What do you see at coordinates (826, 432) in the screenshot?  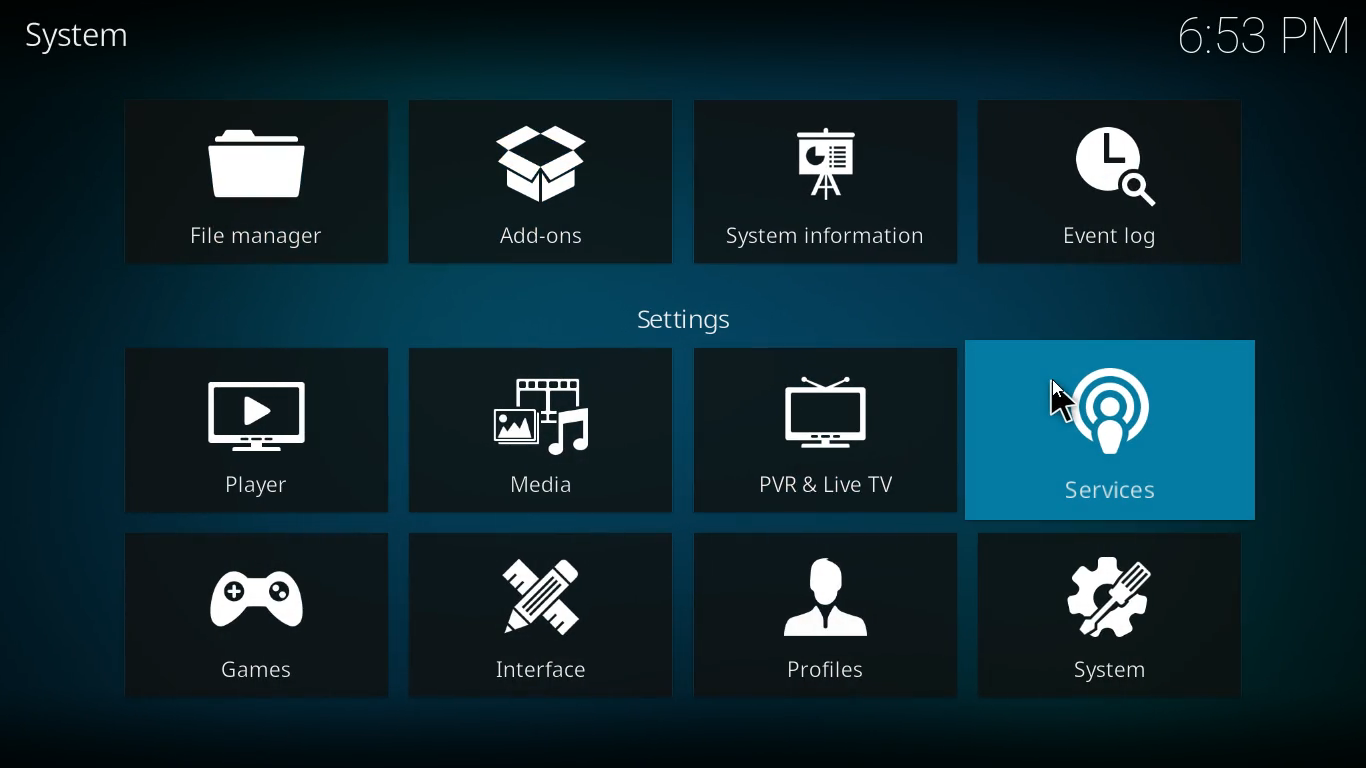 I see `pvr & live tv` at bounding box center [826, 432].